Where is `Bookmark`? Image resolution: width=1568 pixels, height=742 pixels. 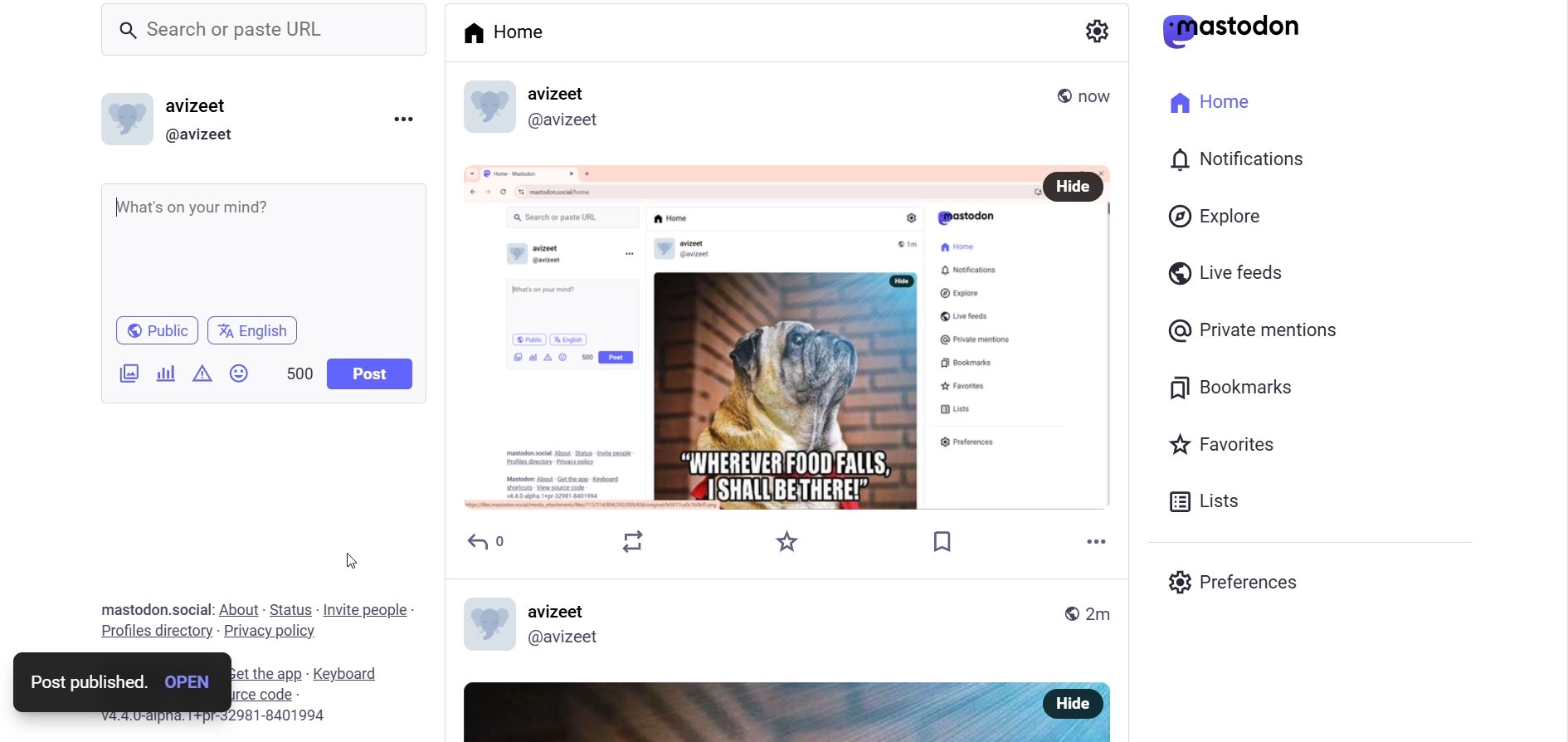 Bookmark is located at coordinates (943, 539).